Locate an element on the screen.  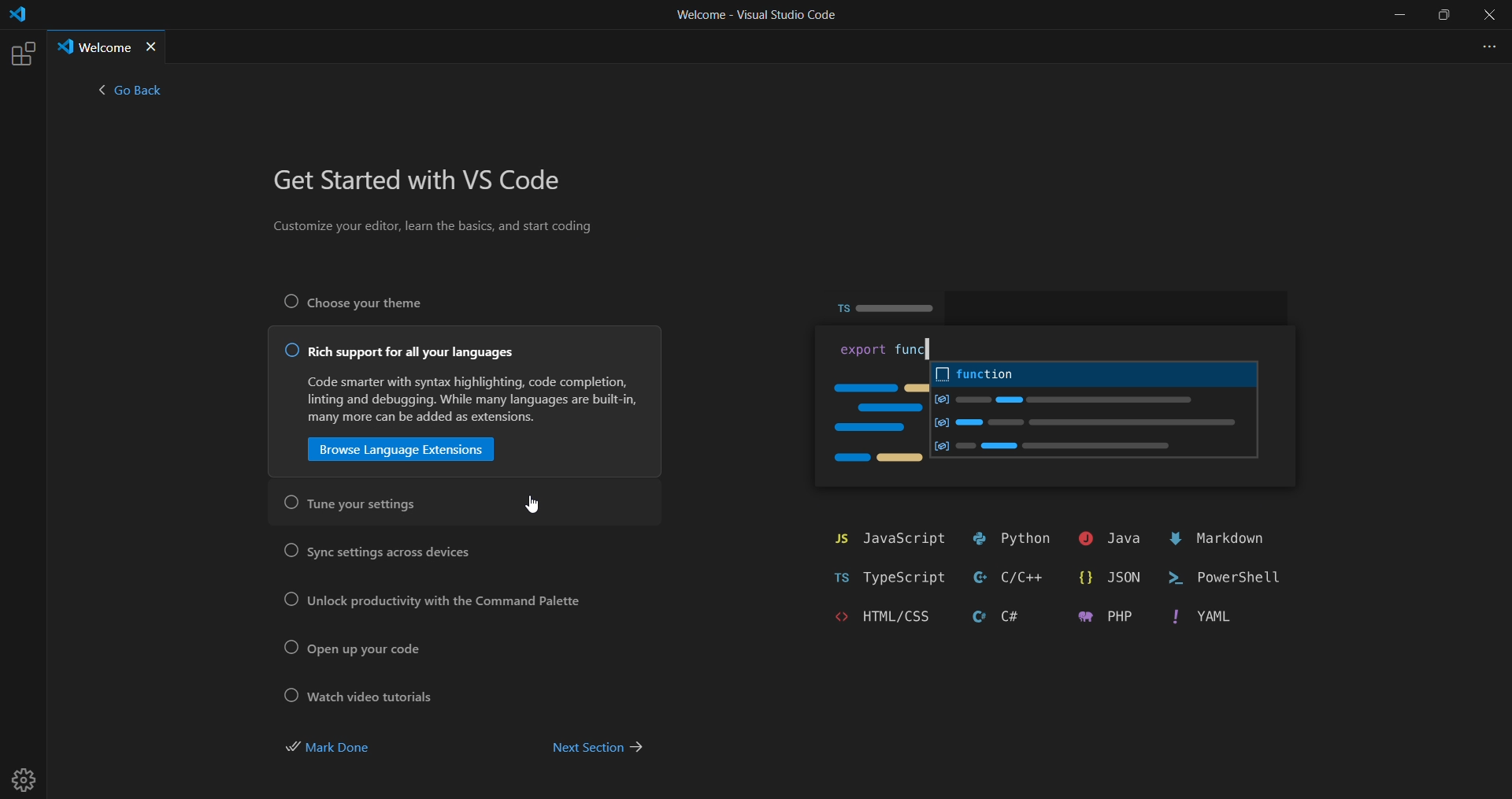
rich support for all your languages is located at coordinates (397, 353).